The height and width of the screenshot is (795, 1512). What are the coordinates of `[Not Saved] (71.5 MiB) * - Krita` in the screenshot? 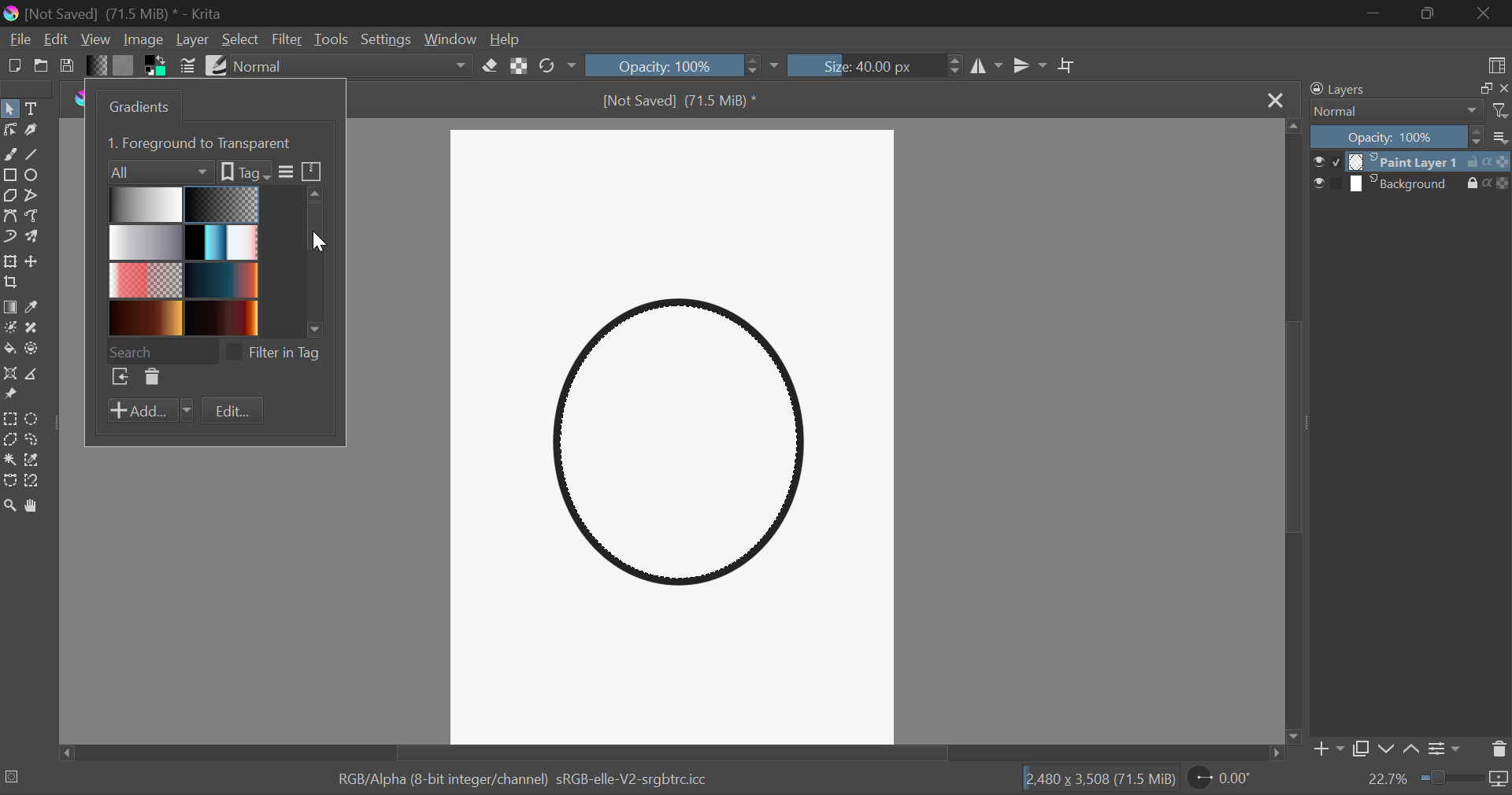 It's located at (124, 15).